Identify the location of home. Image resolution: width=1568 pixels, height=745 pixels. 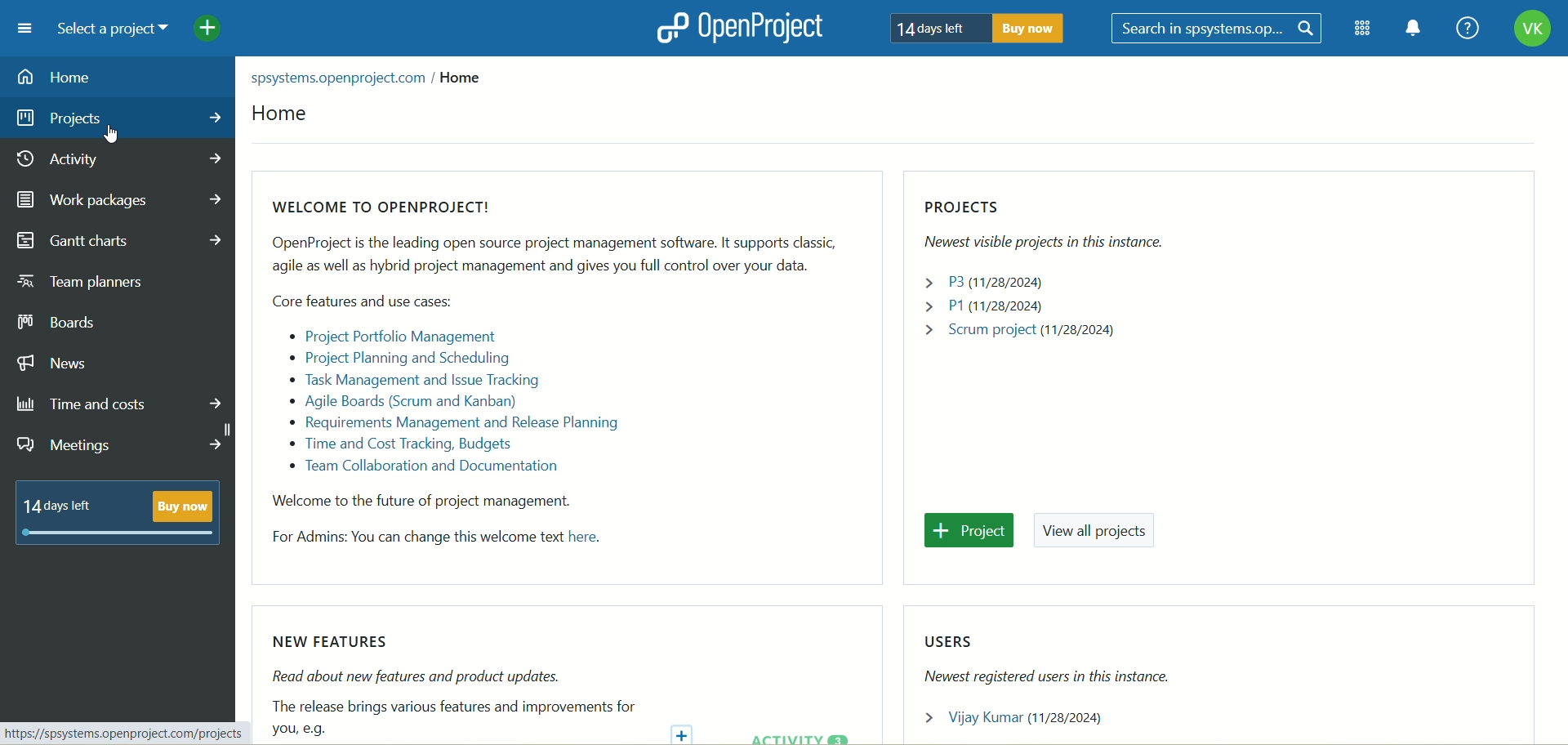
(116, 77).